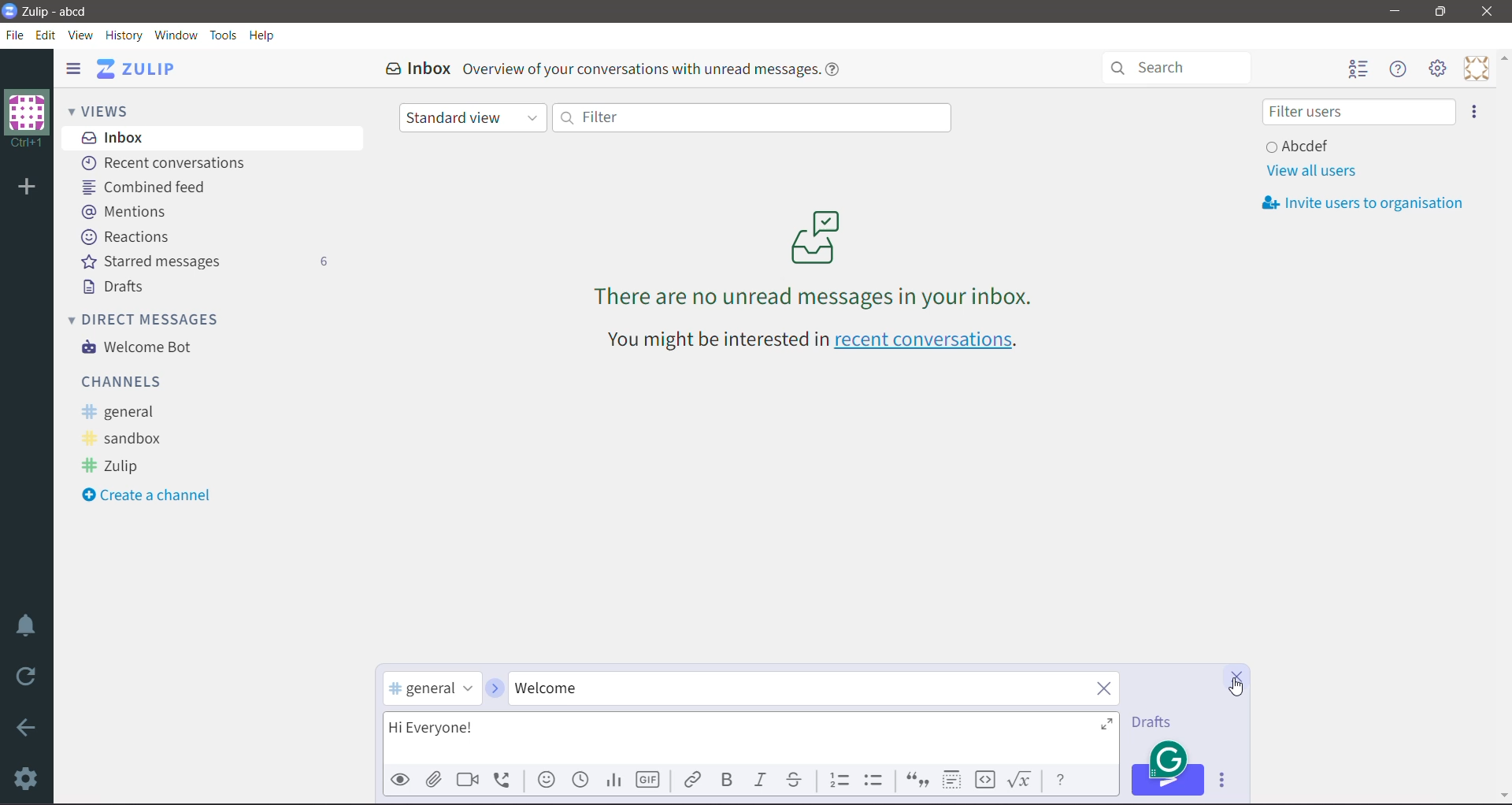  What do you see at coordinates (46, 35) in the screenshot?
I see `Edit` at bounding box center [46, 35].